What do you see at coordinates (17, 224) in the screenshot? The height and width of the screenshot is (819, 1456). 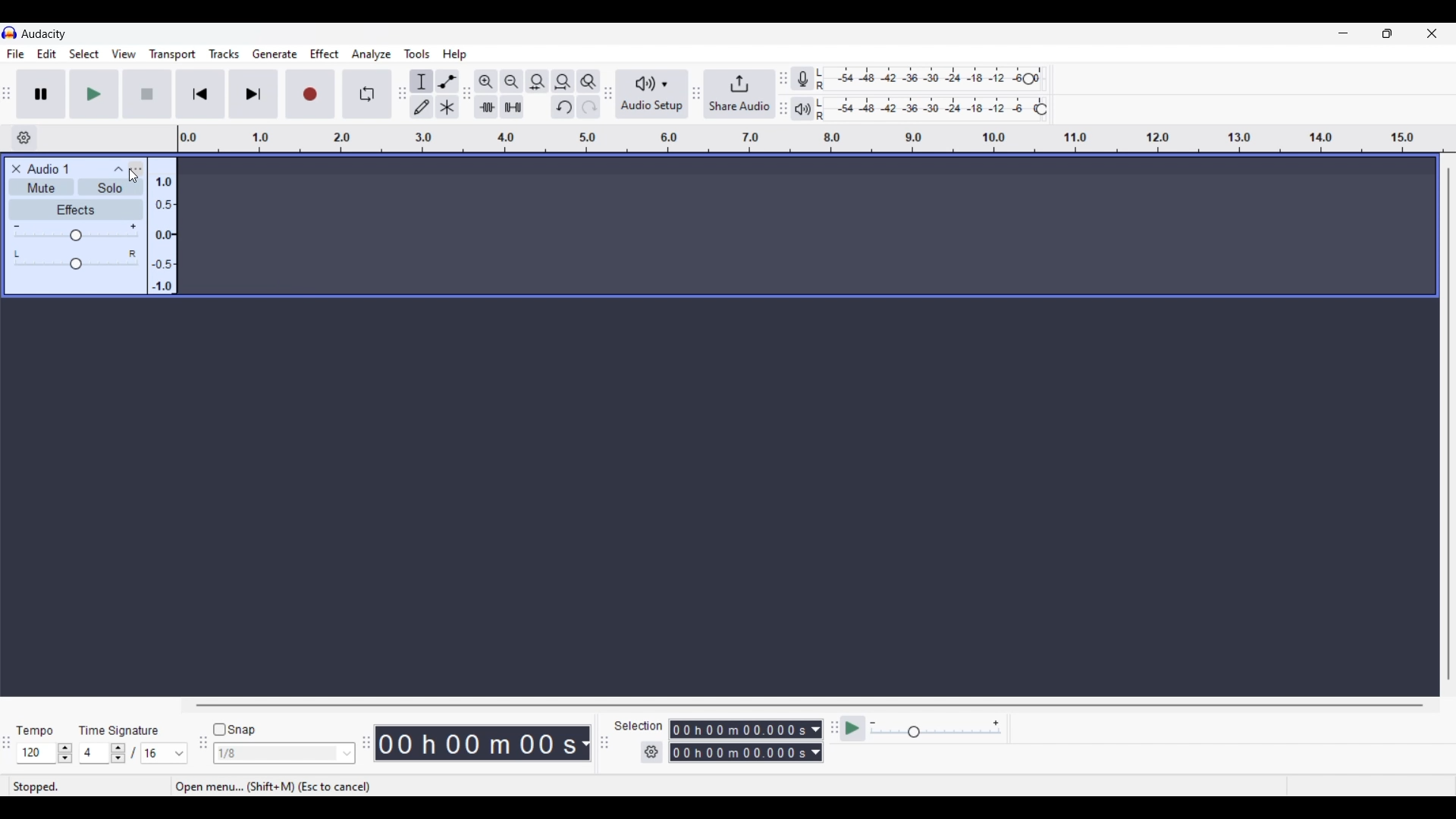 I see `Decrease` at bounding box center [17, 224].